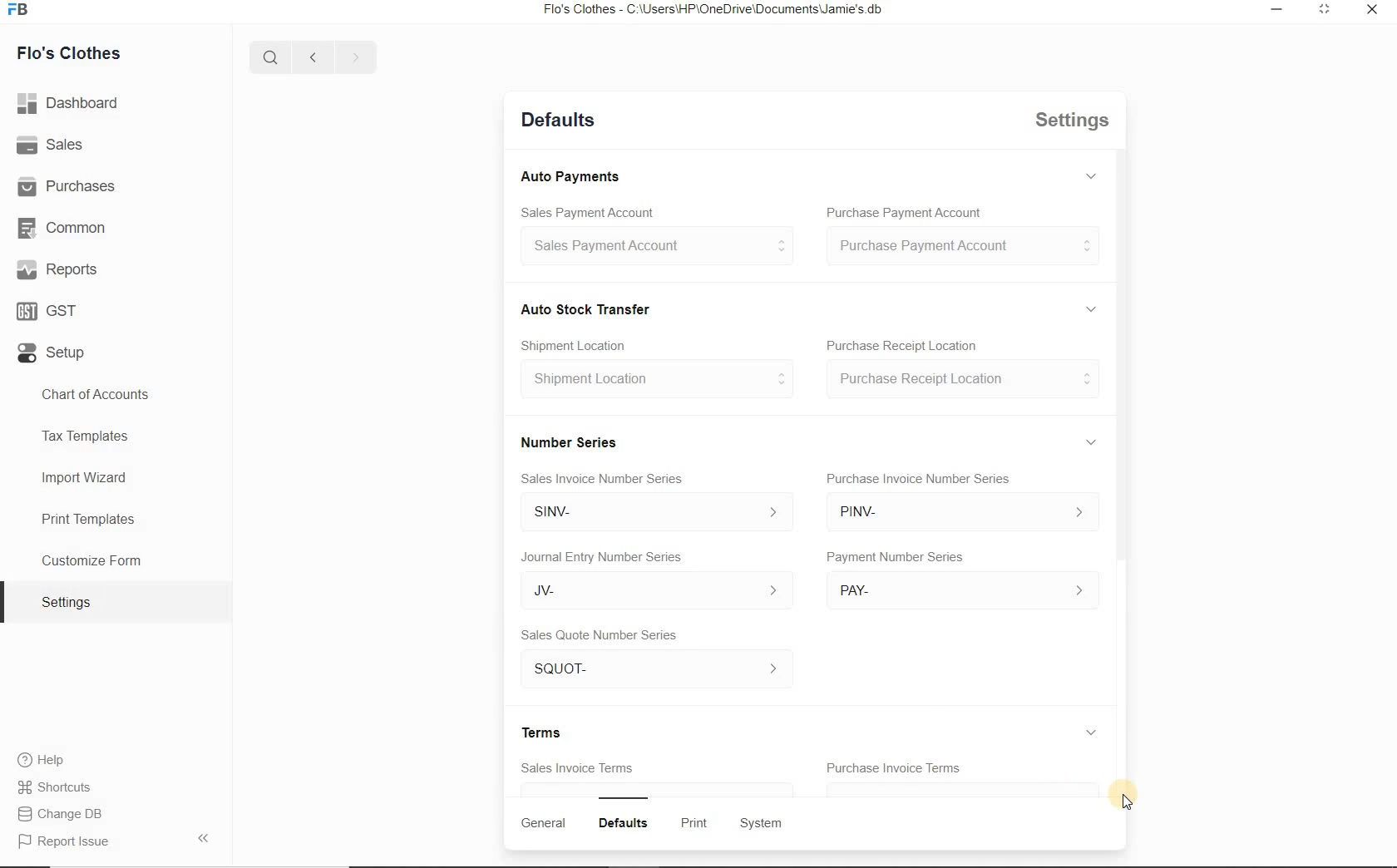  What do you see at coordinates (96, 393) in the screenshot?
I see `Chart of Accounts` at bounding box center [96, 393].